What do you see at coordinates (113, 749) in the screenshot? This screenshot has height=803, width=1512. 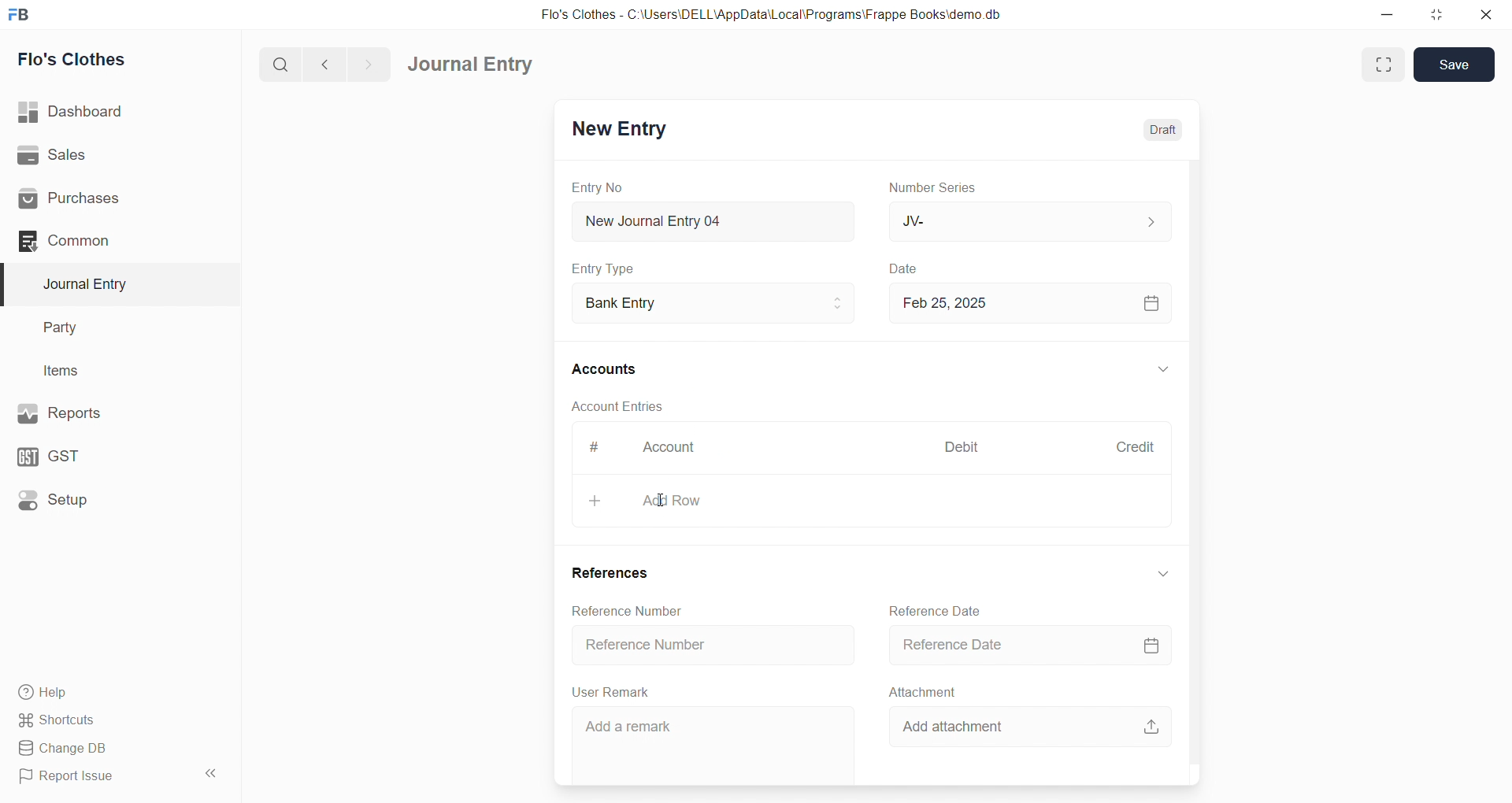 I see `Change DB` at bounding box center [113, 749].